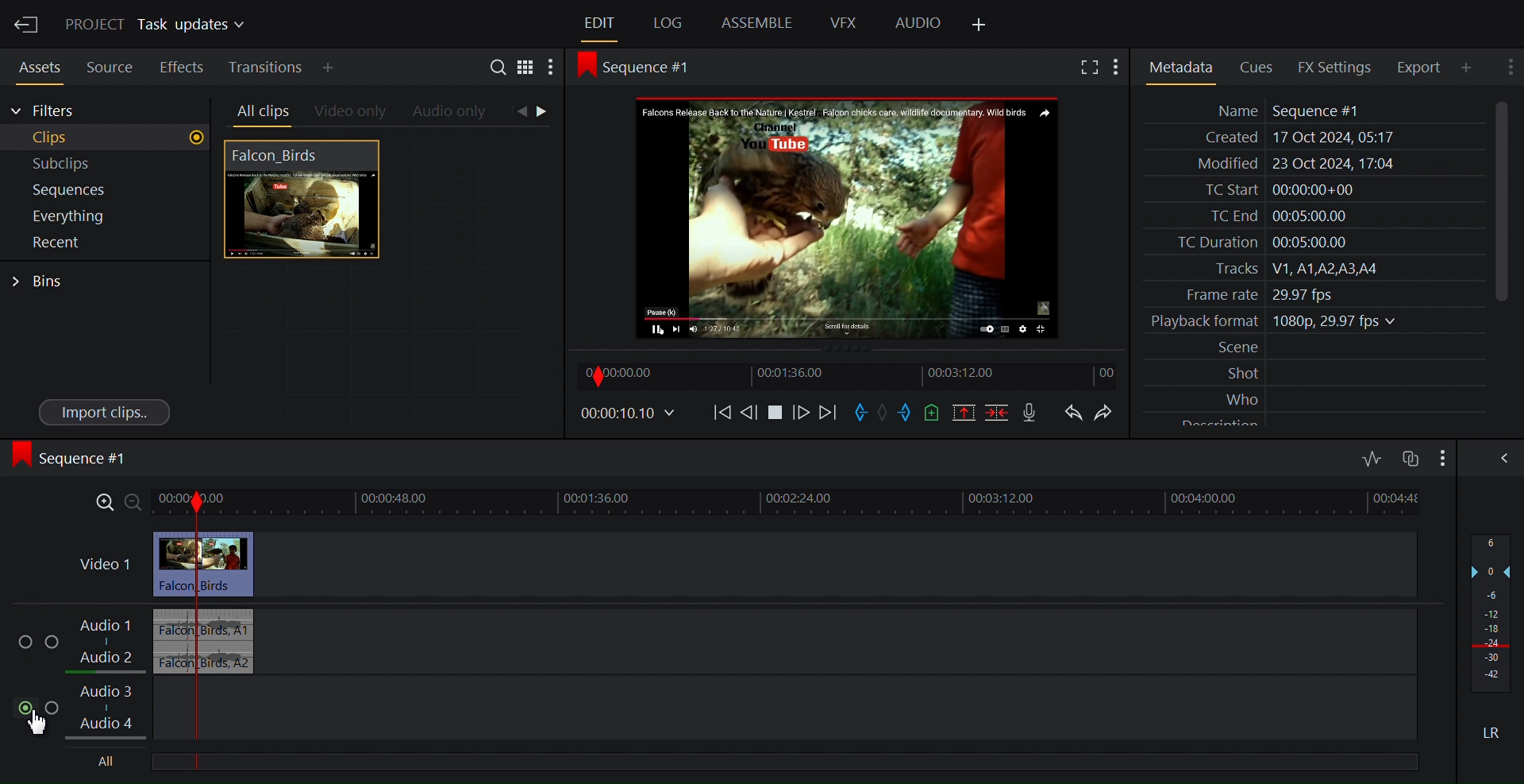  What do you see at coordinates (351, 113) in the screenshot?
I see `Videos only` at bounding box center [351, 113].